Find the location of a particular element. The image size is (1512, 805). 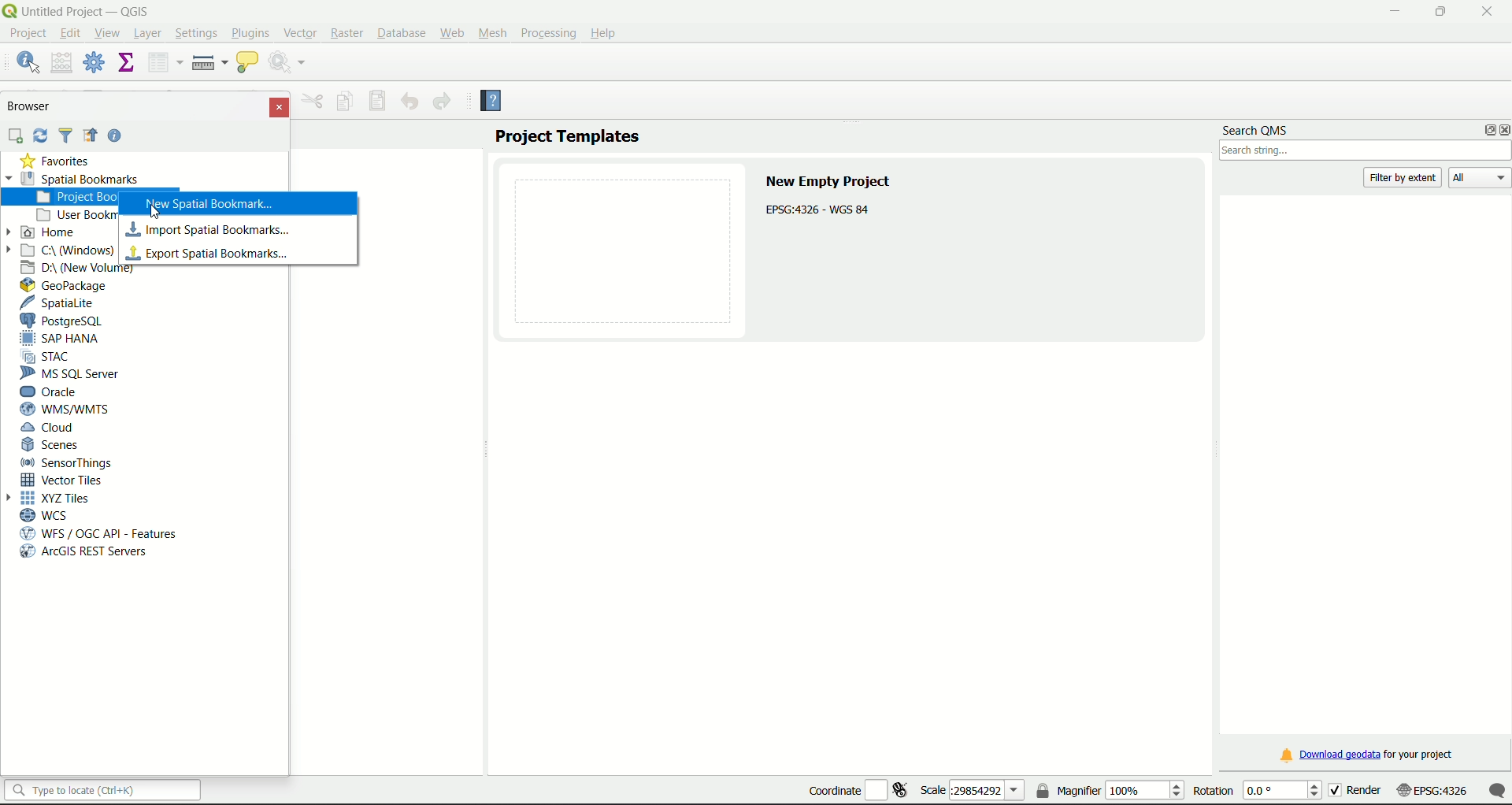

project templates is located at coordinates (568, 136).